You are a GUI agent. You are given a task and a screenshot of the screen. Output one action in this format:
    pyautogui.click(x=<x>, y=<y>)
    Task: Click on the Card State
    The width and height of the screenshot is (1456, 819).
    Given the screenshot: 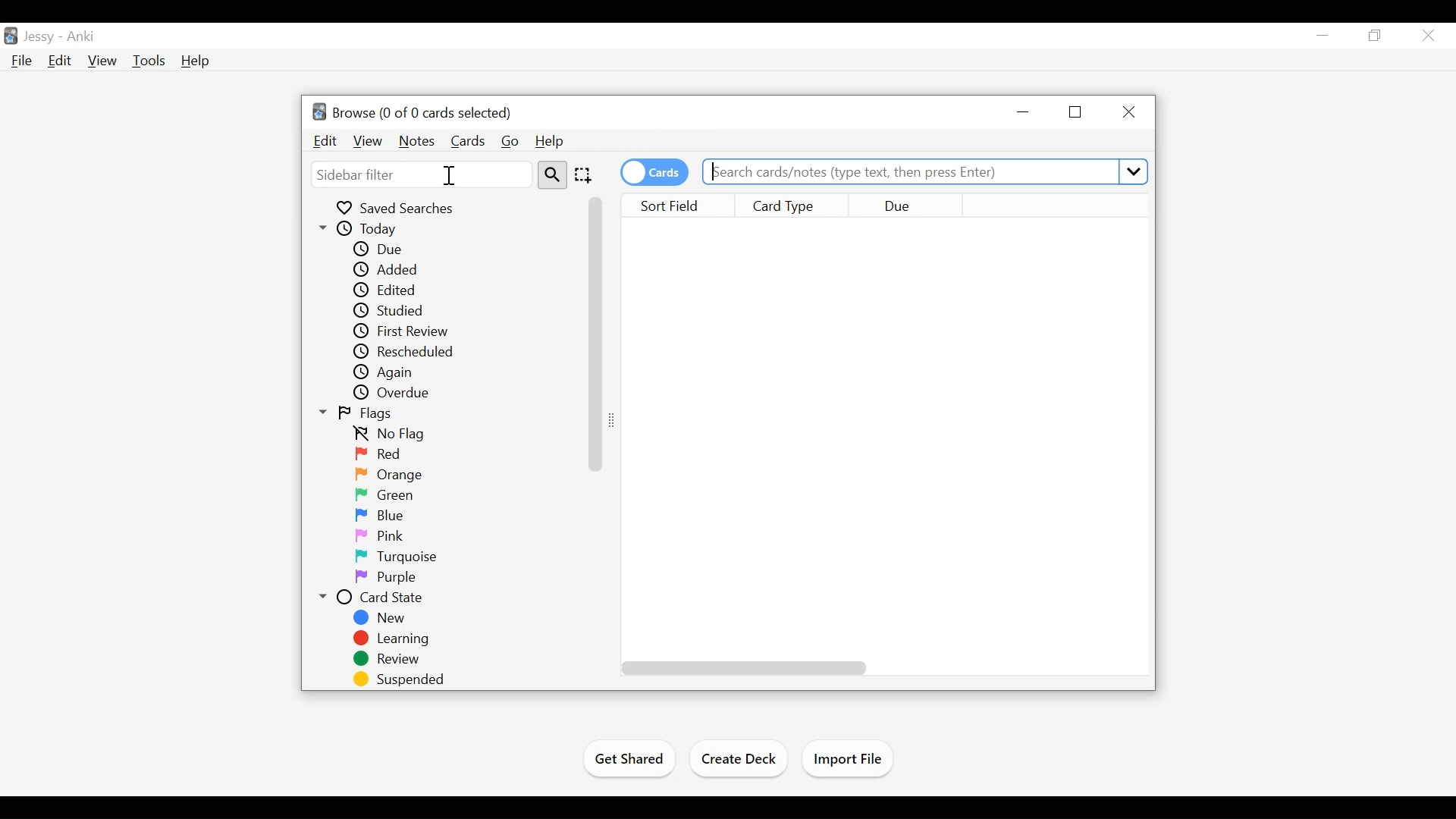 What is the action you would take?
    pyautogui.click(x=375, y=598)
    